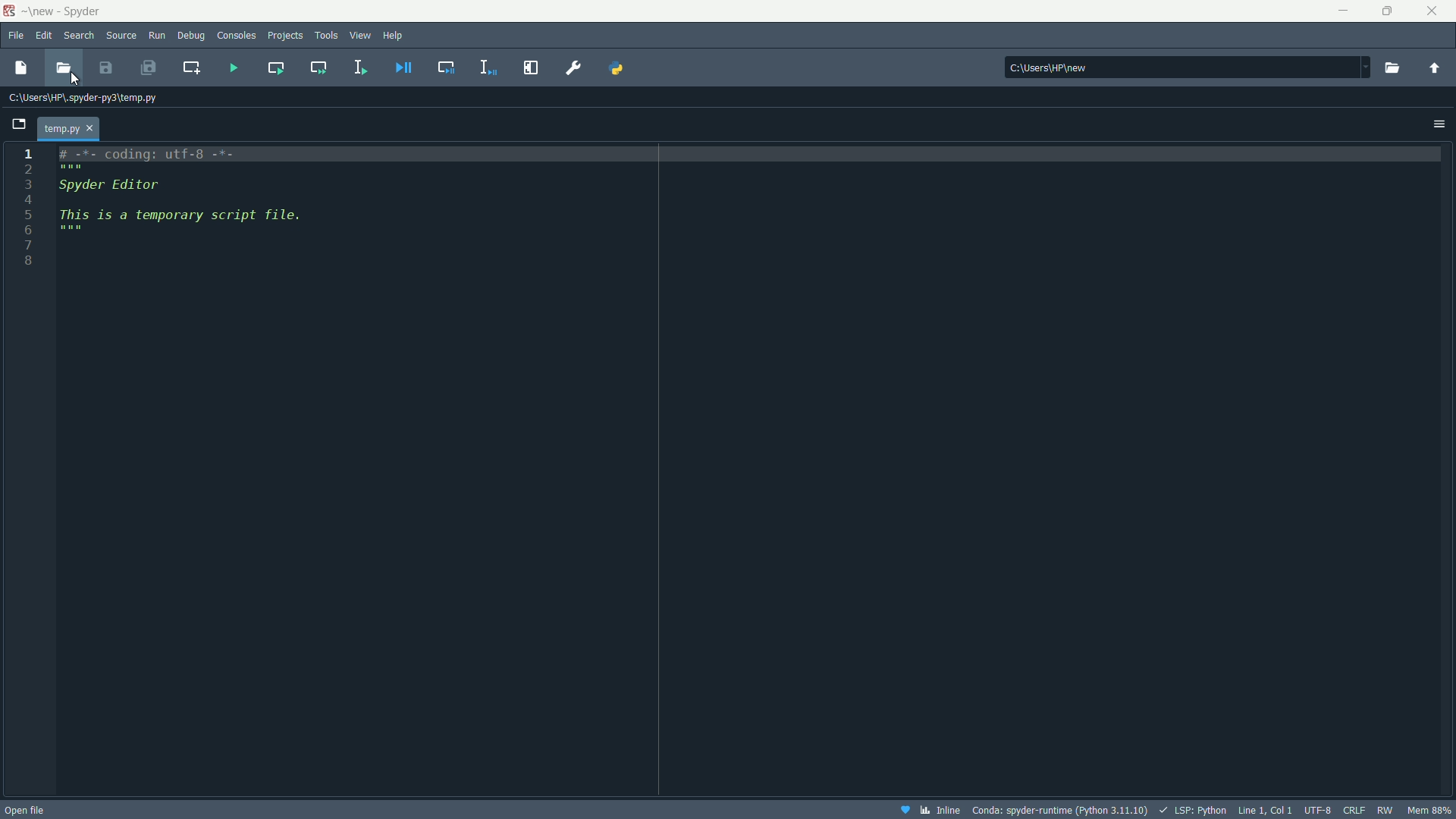 Image resolution: width=1456 pixels, height=819 pixels. Describe the element at coordinates (1385, 810) in the screenshot. I see `rw` at that location.